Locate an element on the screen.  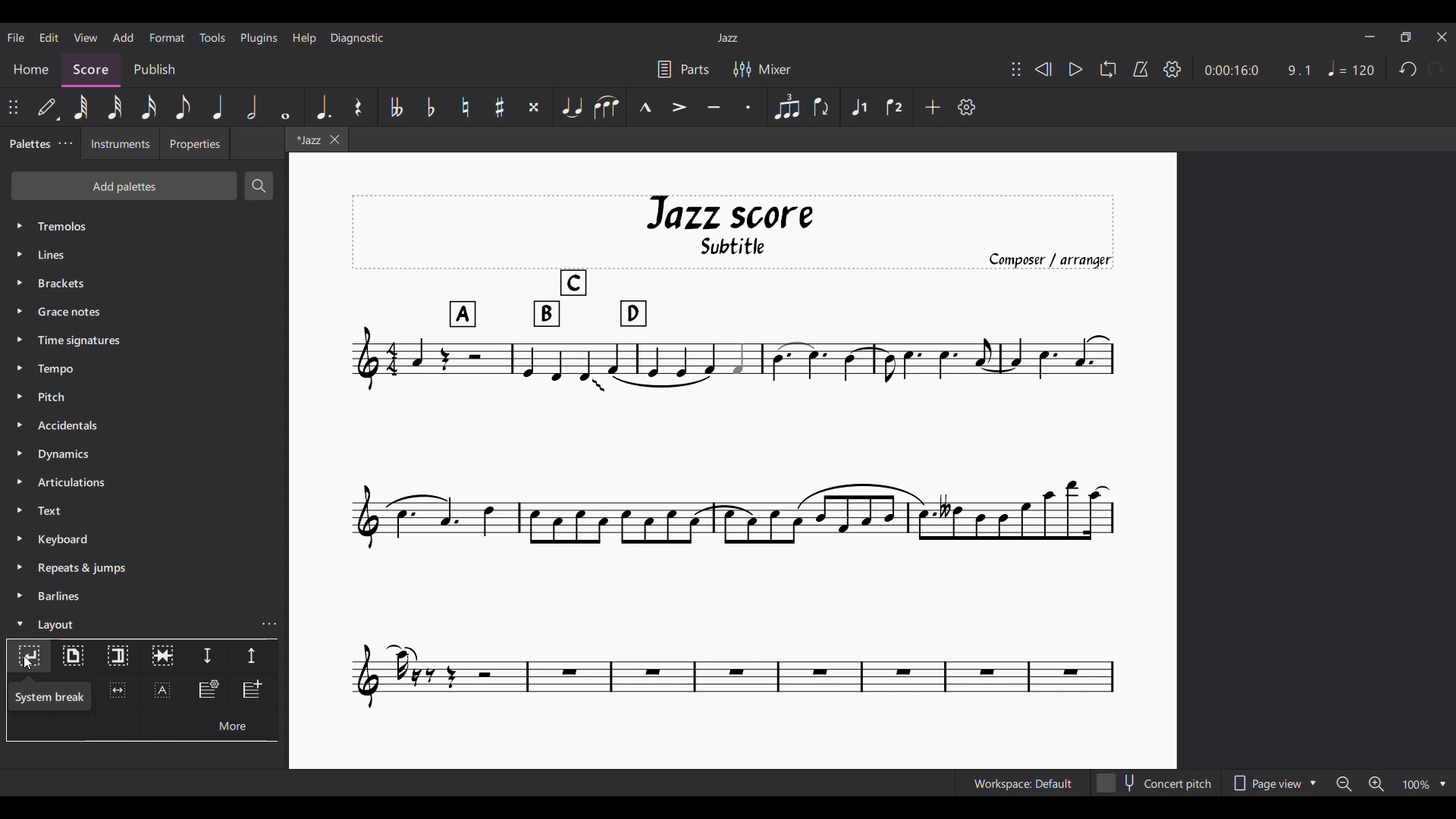
Page view options is located at coordinates (1274, 783).